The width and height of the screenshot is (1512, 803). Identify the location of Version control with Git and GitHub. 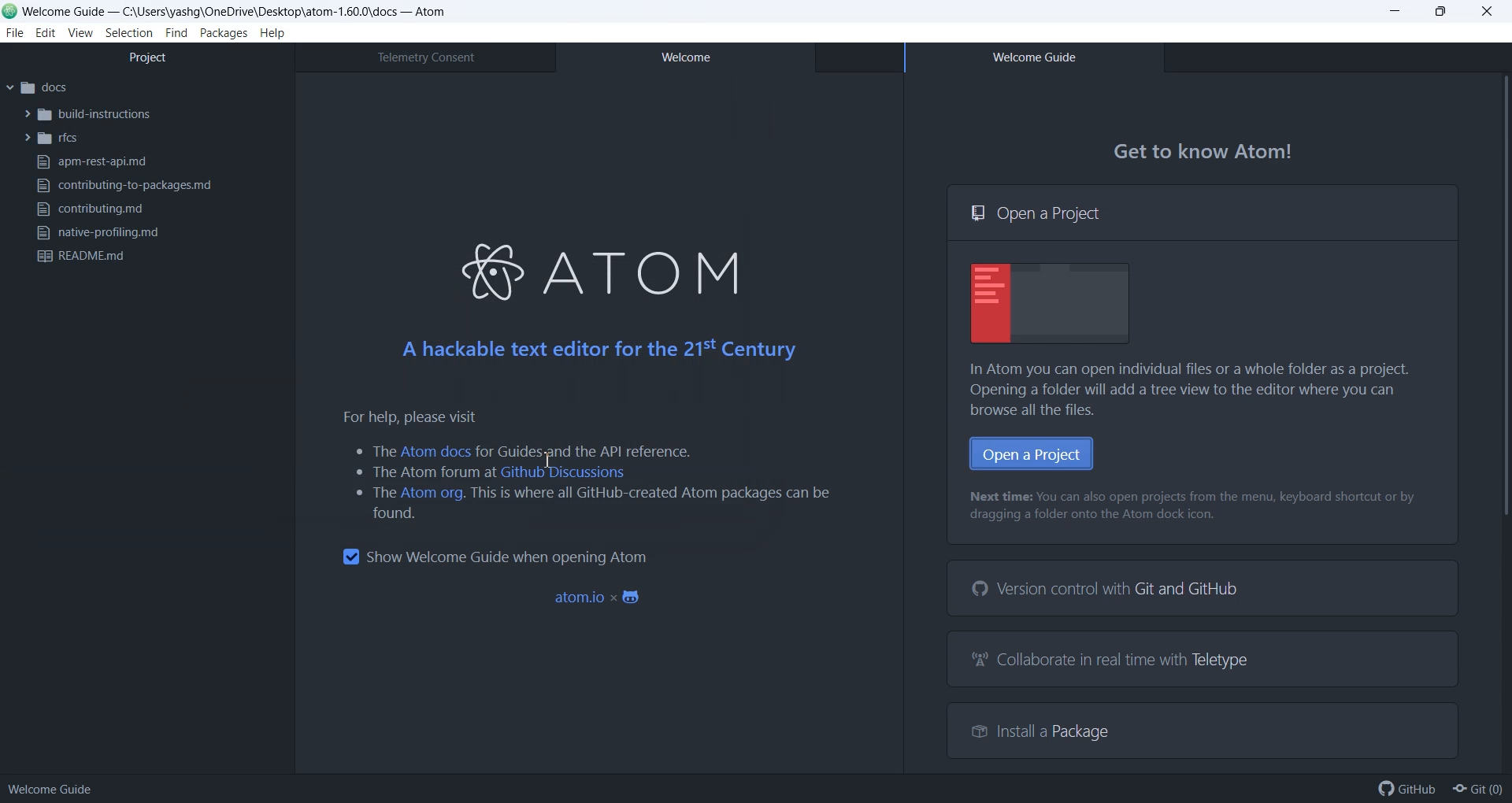
(1109, 589).